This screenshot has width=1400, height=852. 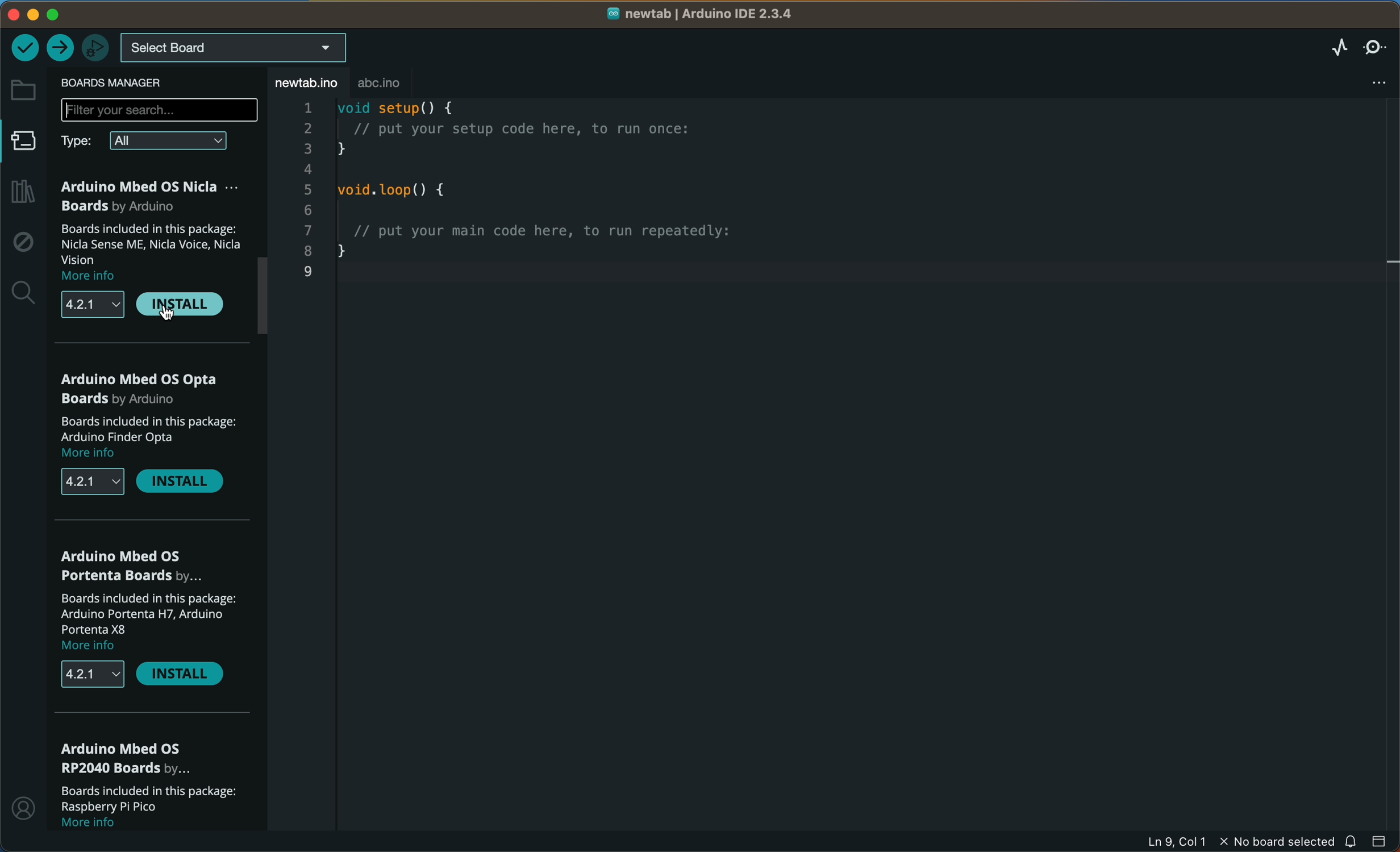 I want to click on install, so click(x=182, y=675).